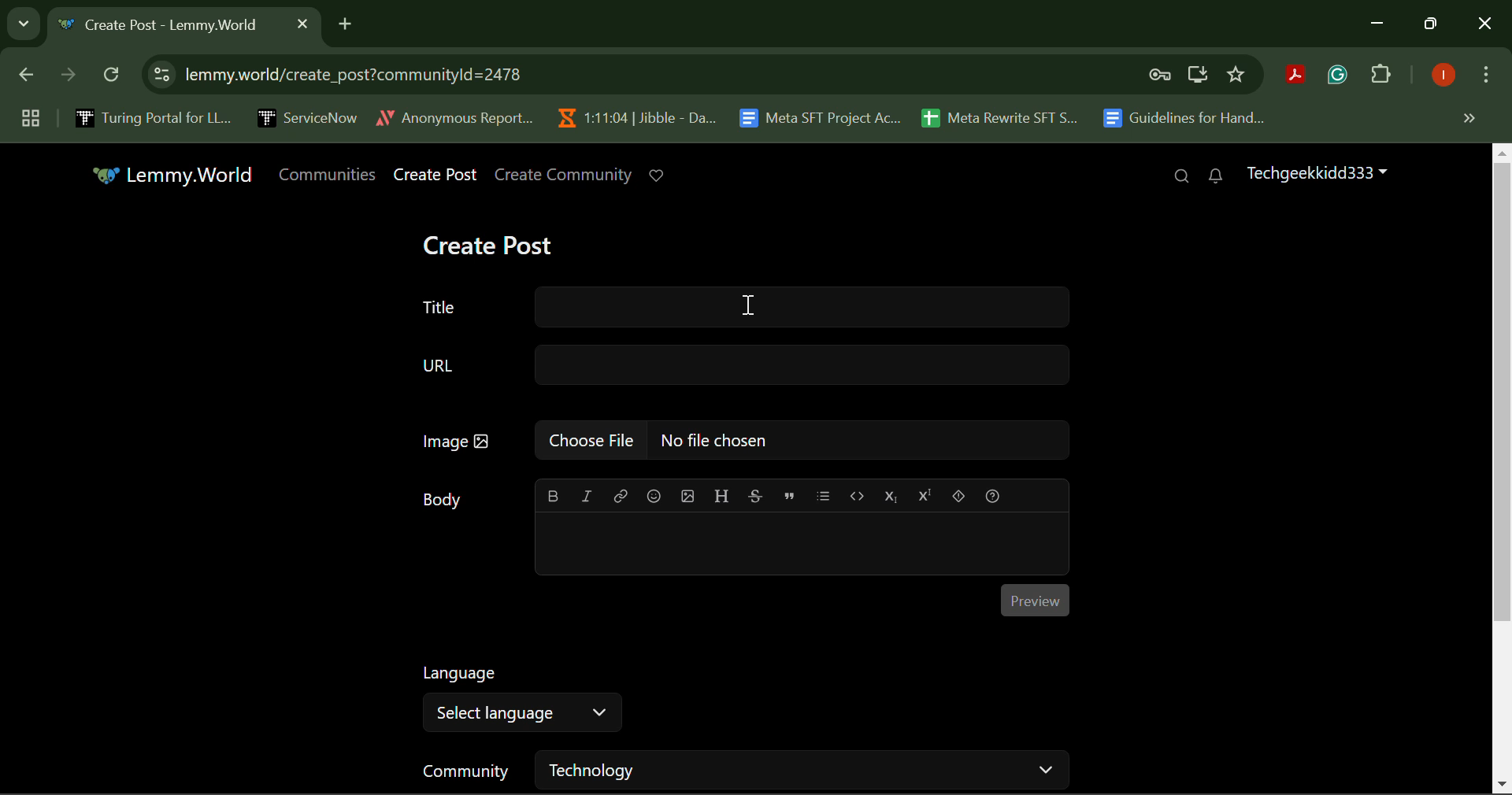 The width and height of the screenshot is (1512, 795). Describe the element at coordinates (1485, 25) in the screenshot. I see `Close Window` at that location.